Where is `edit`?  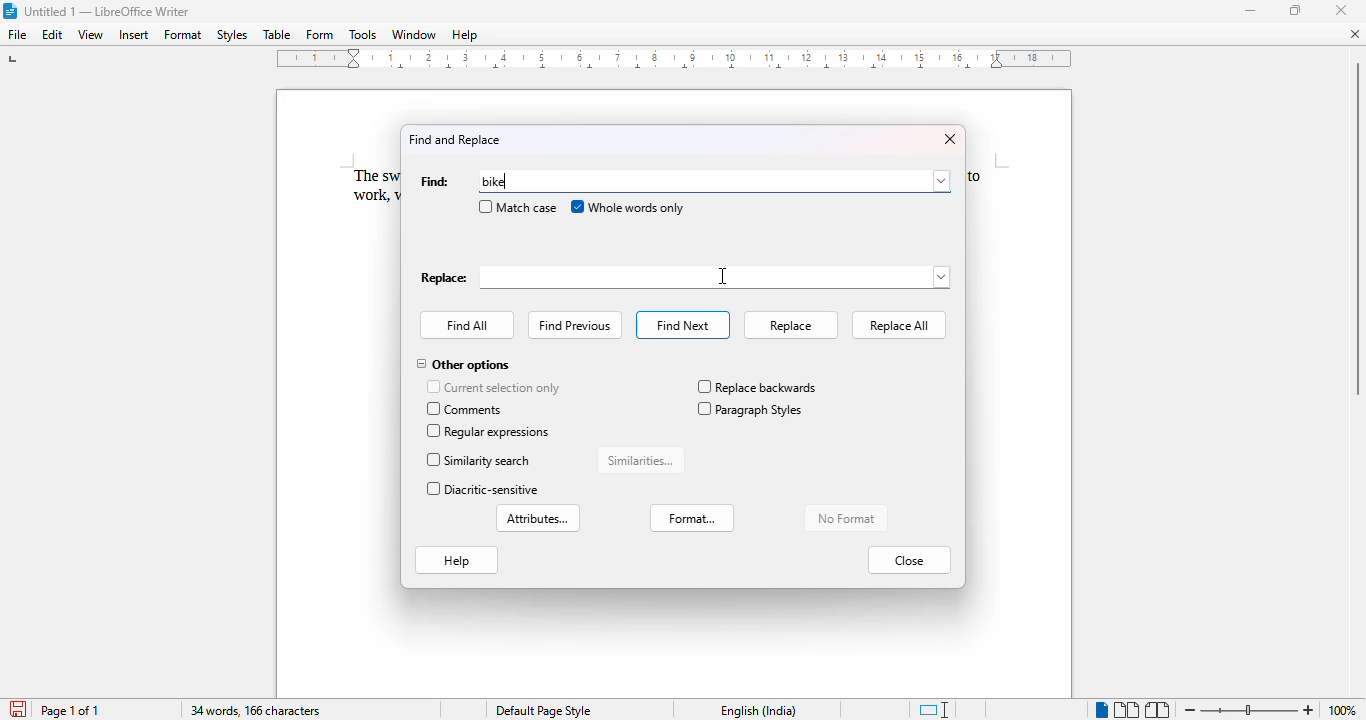 edit is located at coordinates (53, 34).